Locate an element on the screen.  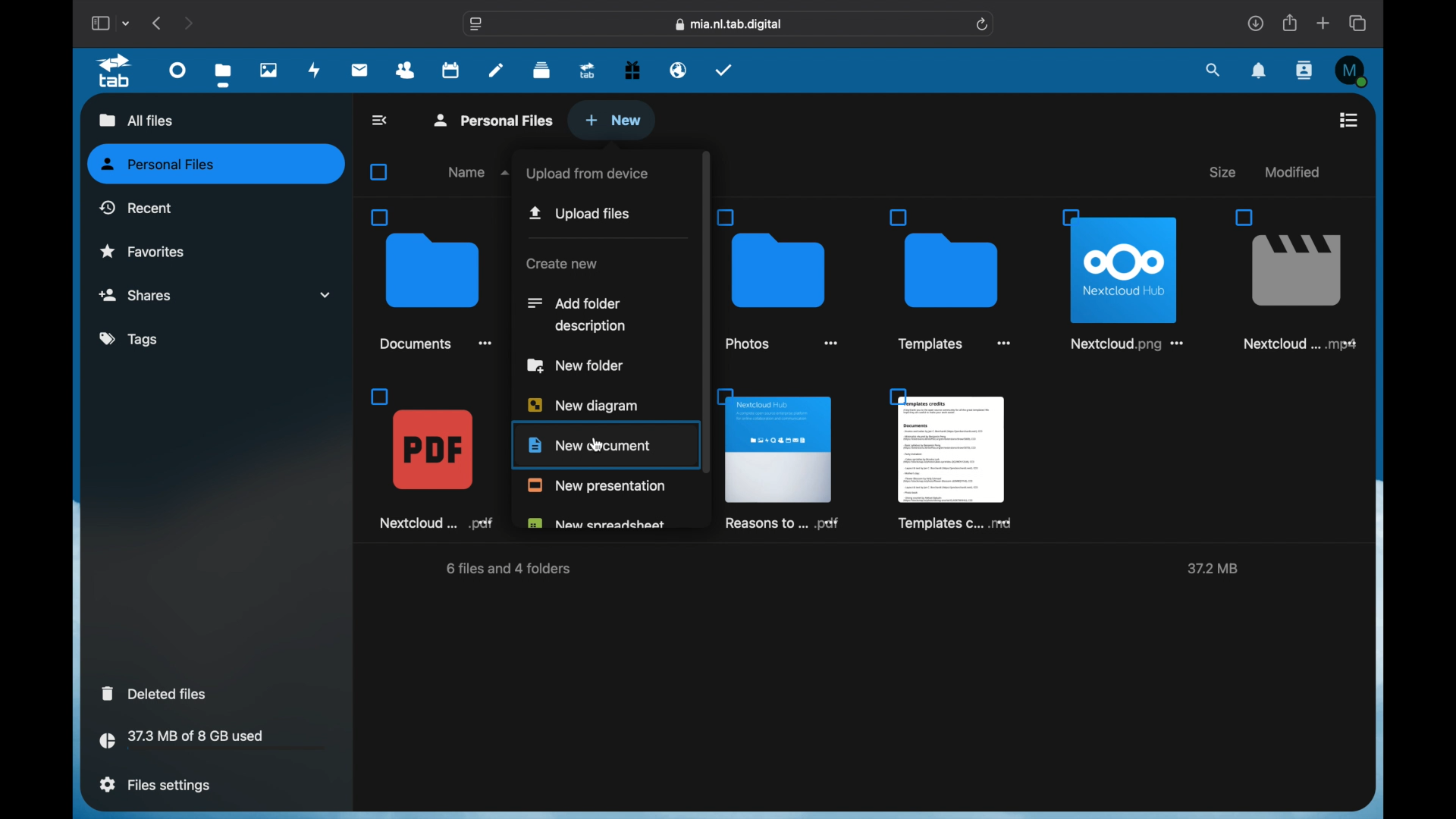
tasks is located at coordinates (724, 70).